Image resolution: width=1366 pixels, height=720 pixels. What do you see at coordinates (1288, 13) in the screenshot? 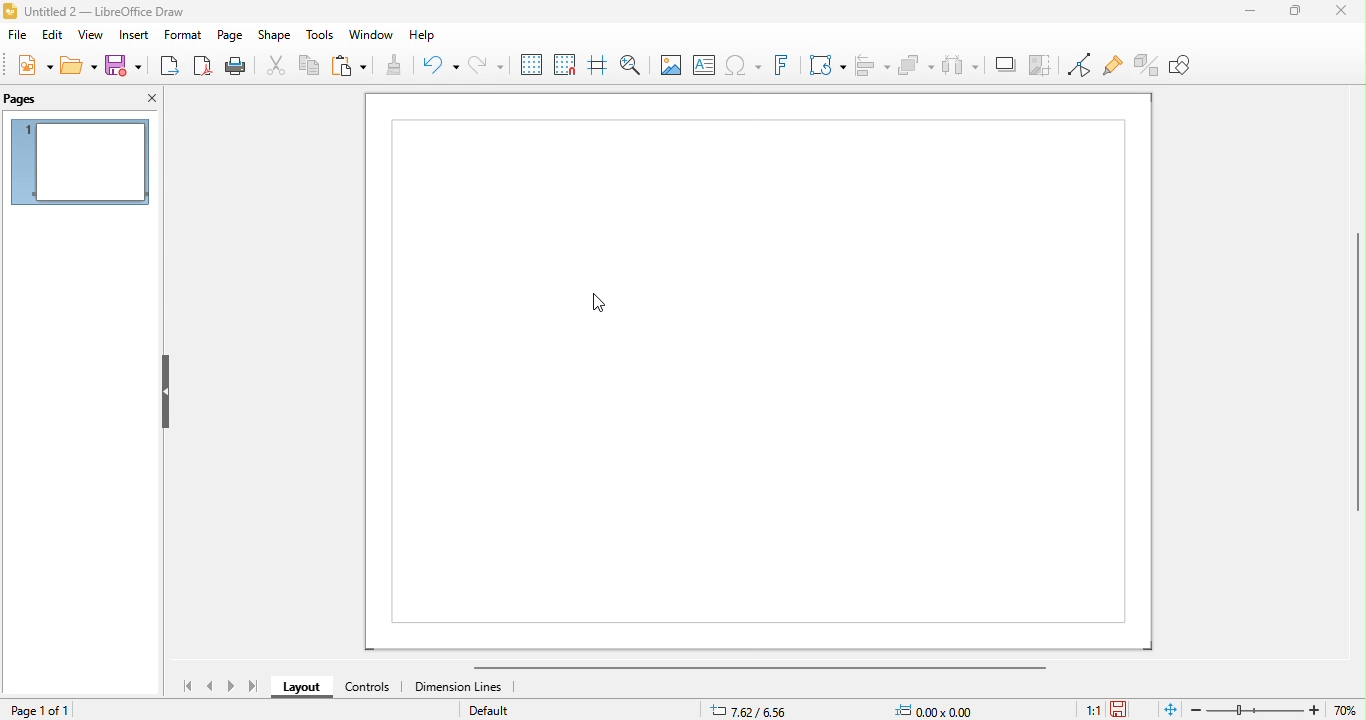
I see `maximize` at bounding box center [1288, 13].